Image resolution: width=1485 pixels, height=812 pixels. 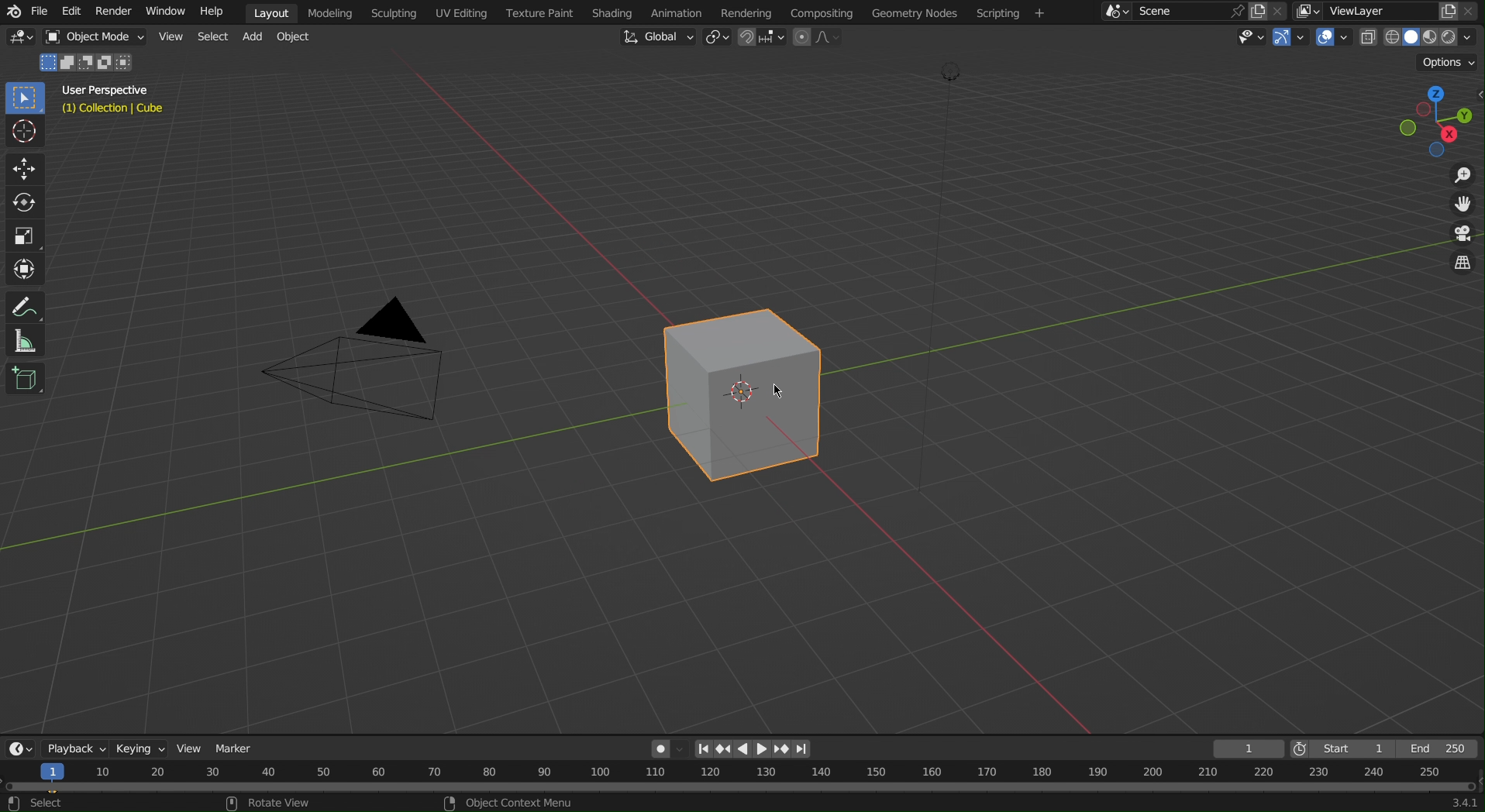 I want to click on Object 1, so click(x=86, y=60).